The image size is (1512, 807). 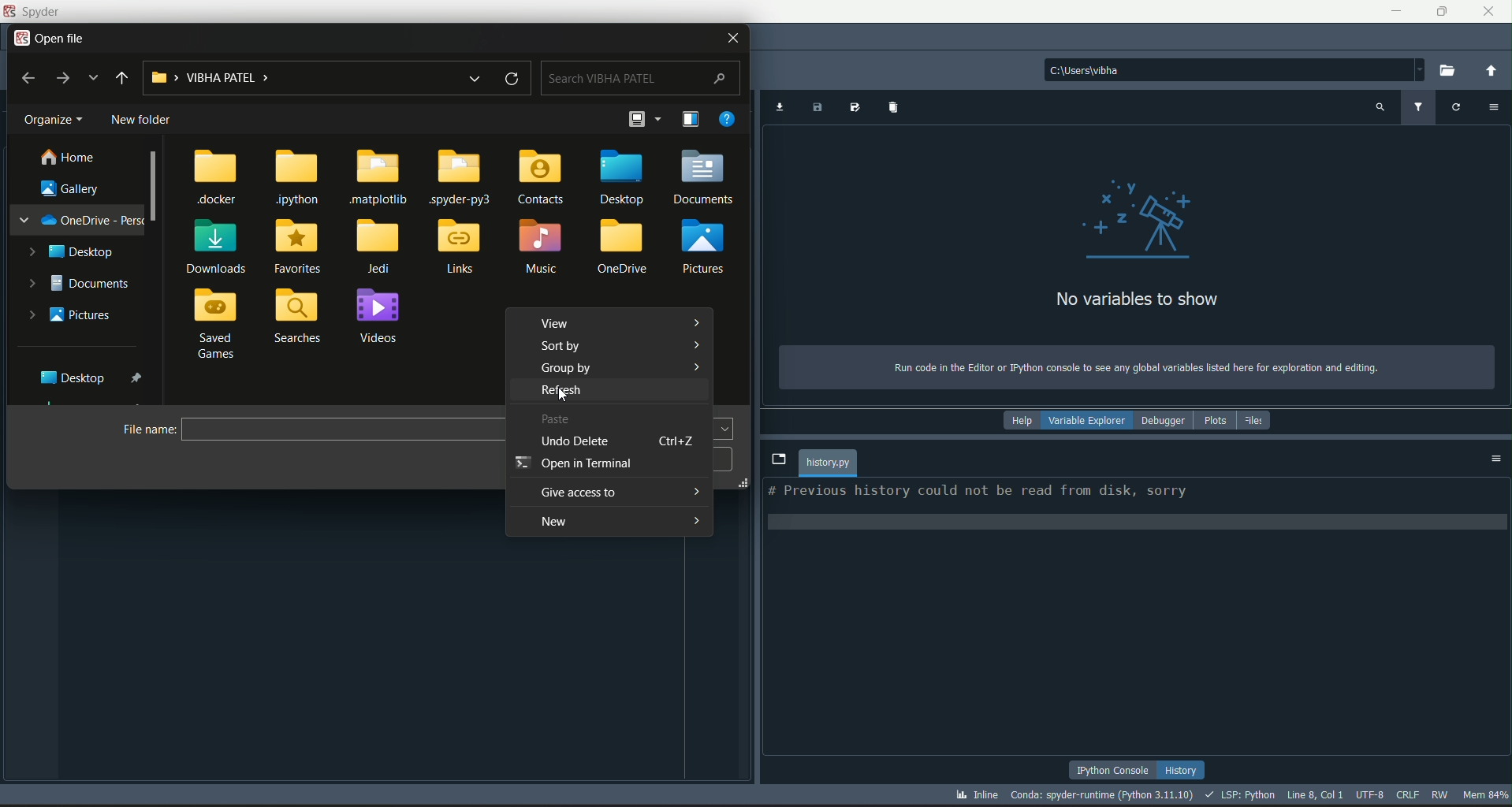 I want to click on open file, so click(x=53, y=39).